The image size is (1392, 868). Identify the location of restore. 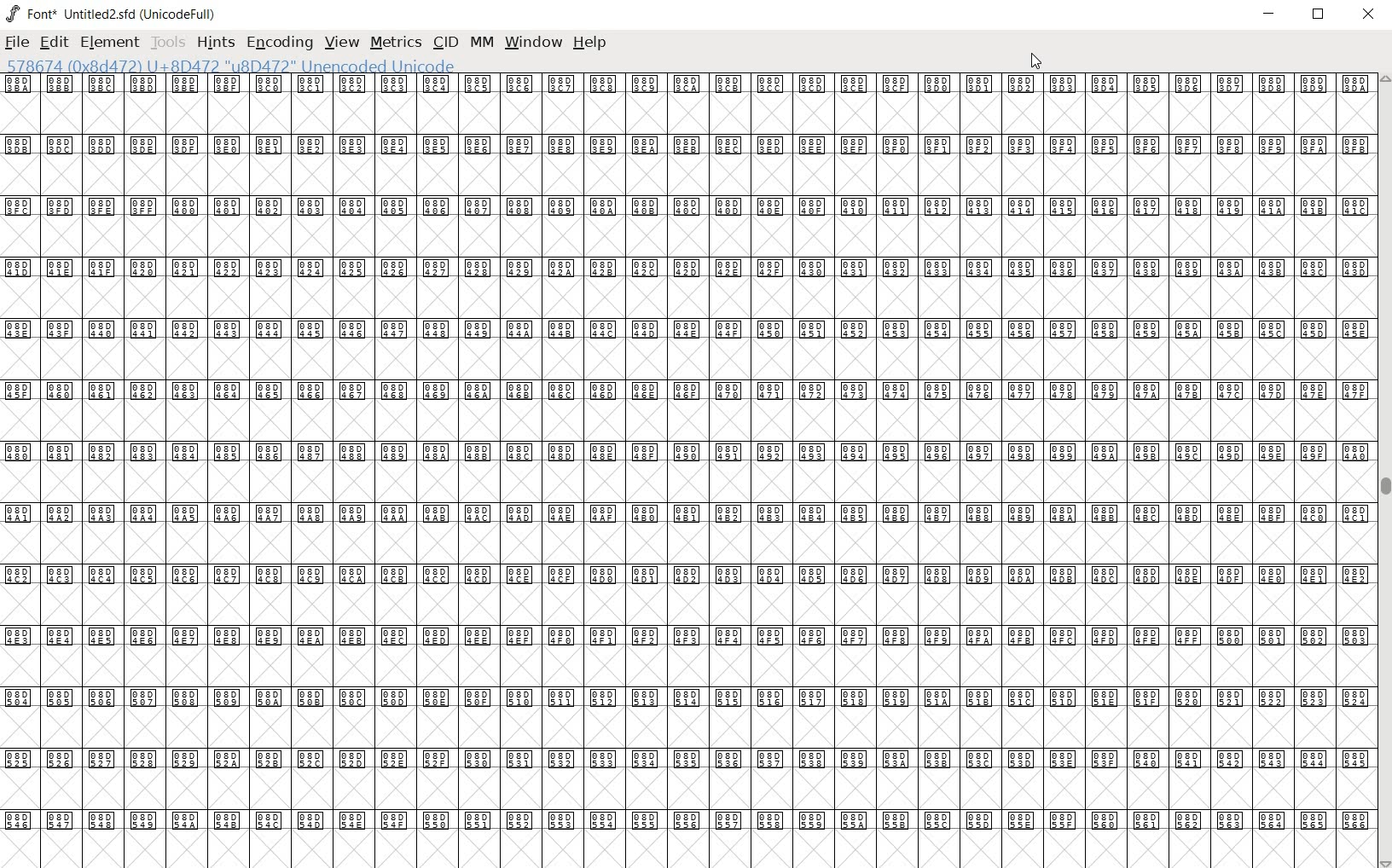
(1319, 17).